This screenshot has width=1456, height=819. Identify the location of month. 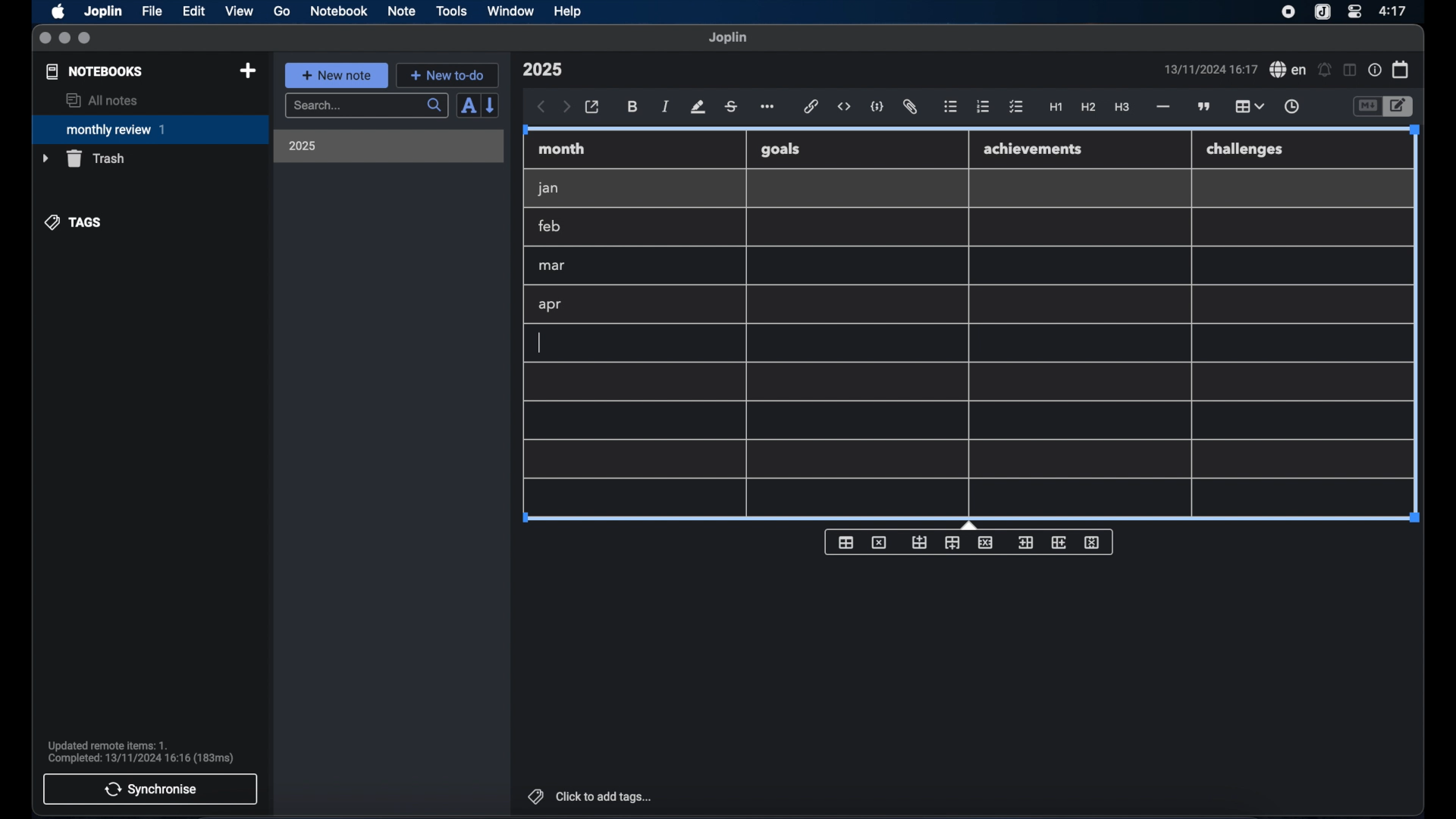
(562, 149).